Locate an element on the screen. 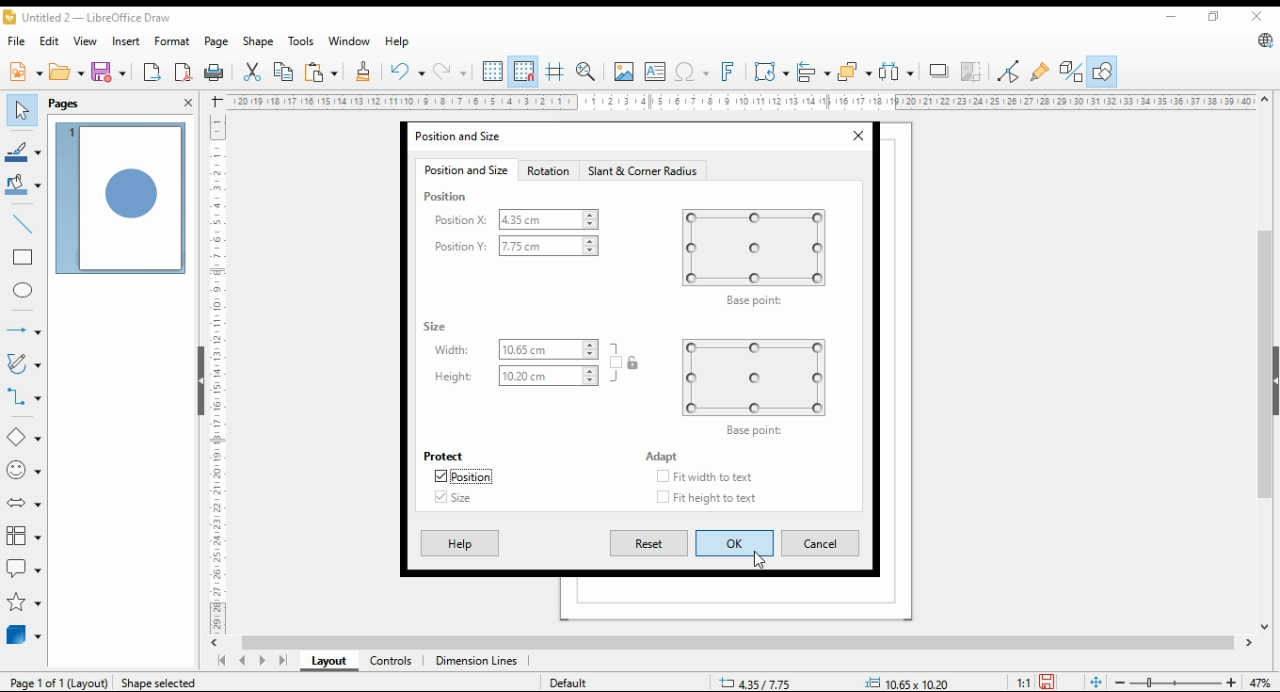  9.98/12.79 is located at coordinates (759, 684).